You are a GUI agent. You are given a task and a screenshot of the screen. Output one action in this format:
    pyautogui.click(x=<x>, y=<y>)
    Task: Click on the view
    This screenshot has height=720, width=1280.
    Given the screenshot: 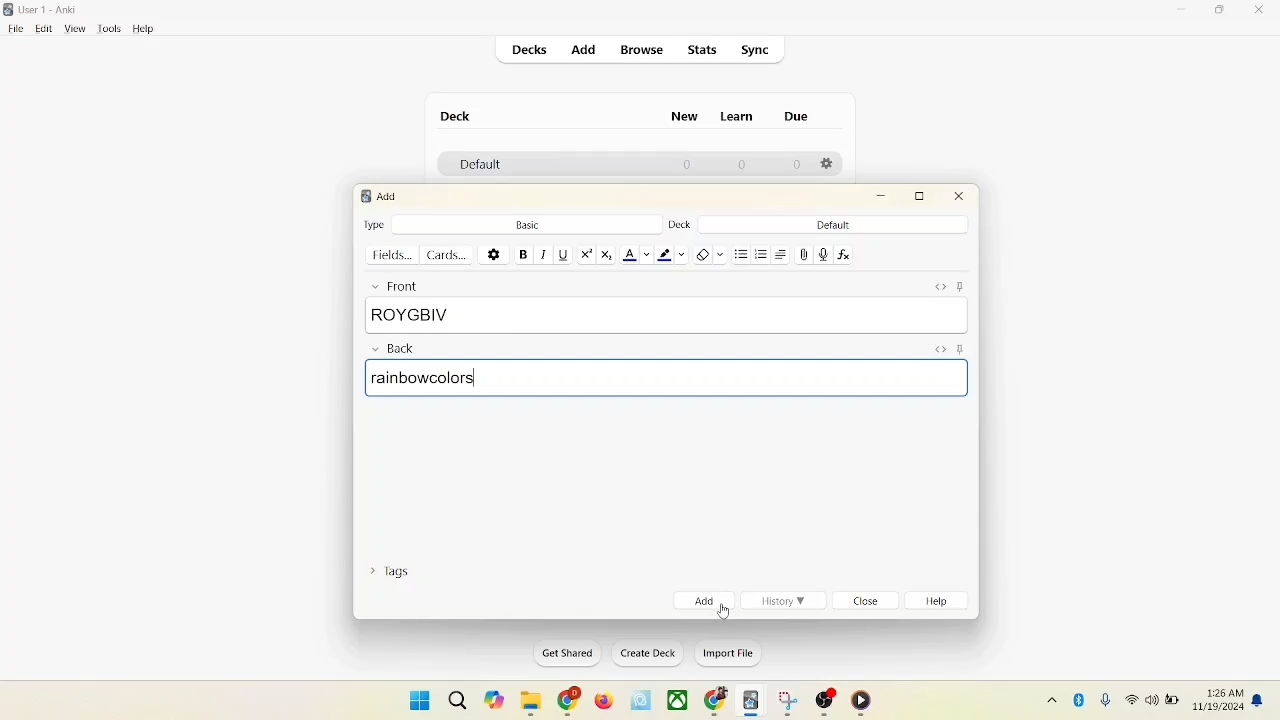 What is the action you would take?
    pyautogui.click(x=77, y=30)
    